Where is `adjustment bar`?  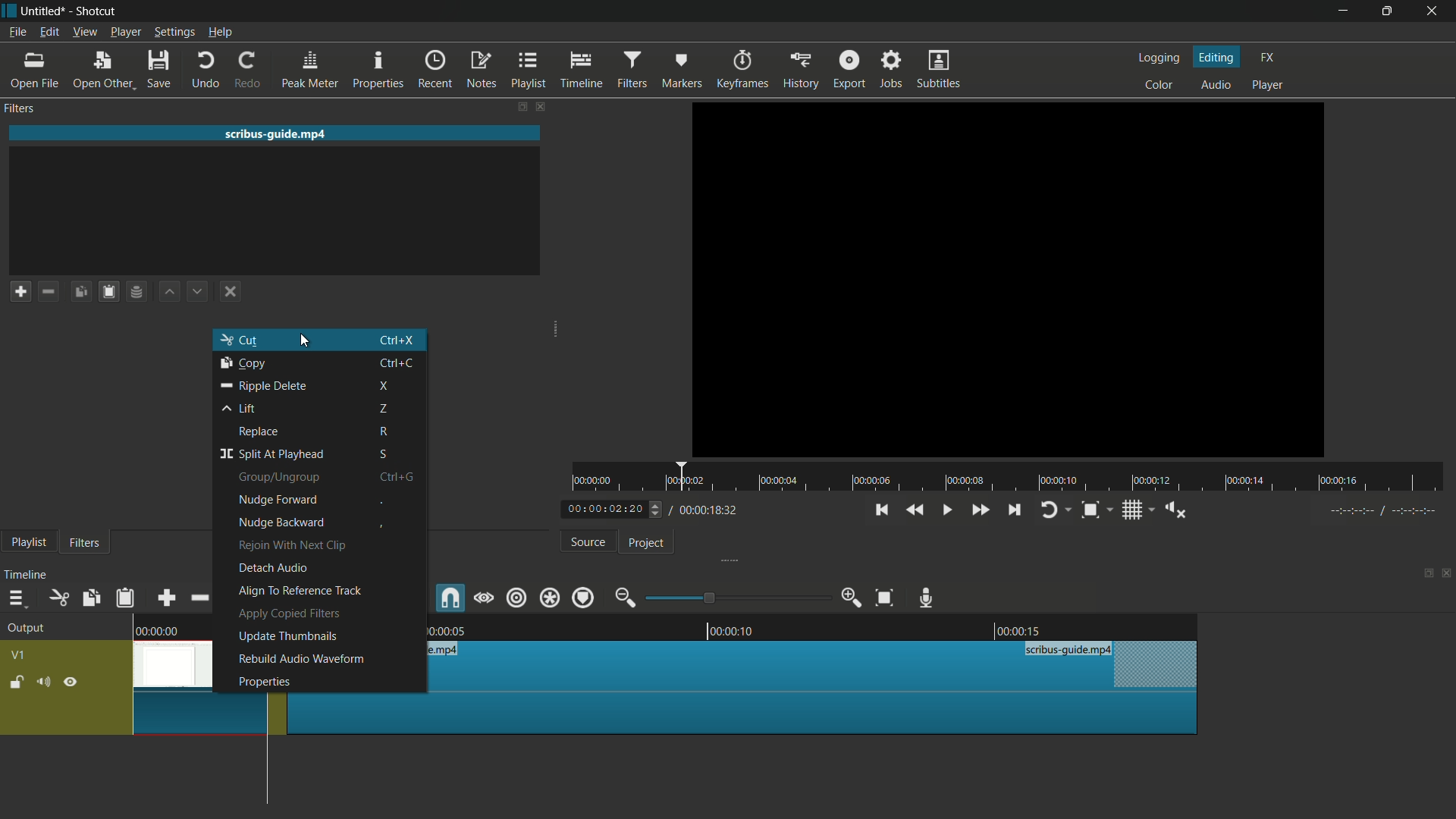
adjustment bar is located at coordinates (737, 598).